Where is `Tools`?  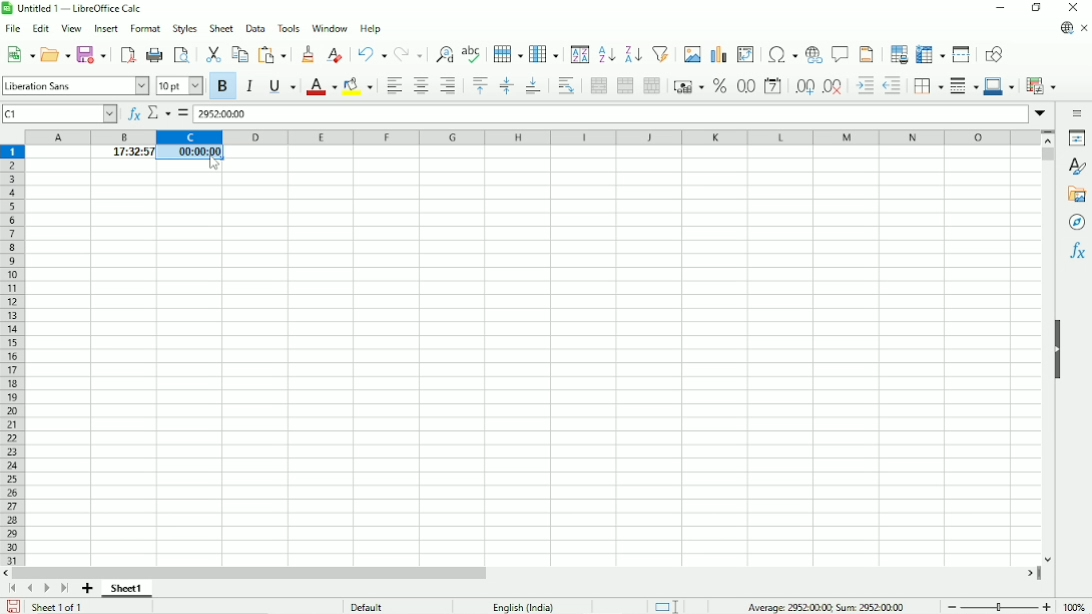
Tools is located at coordinates (288, 27).